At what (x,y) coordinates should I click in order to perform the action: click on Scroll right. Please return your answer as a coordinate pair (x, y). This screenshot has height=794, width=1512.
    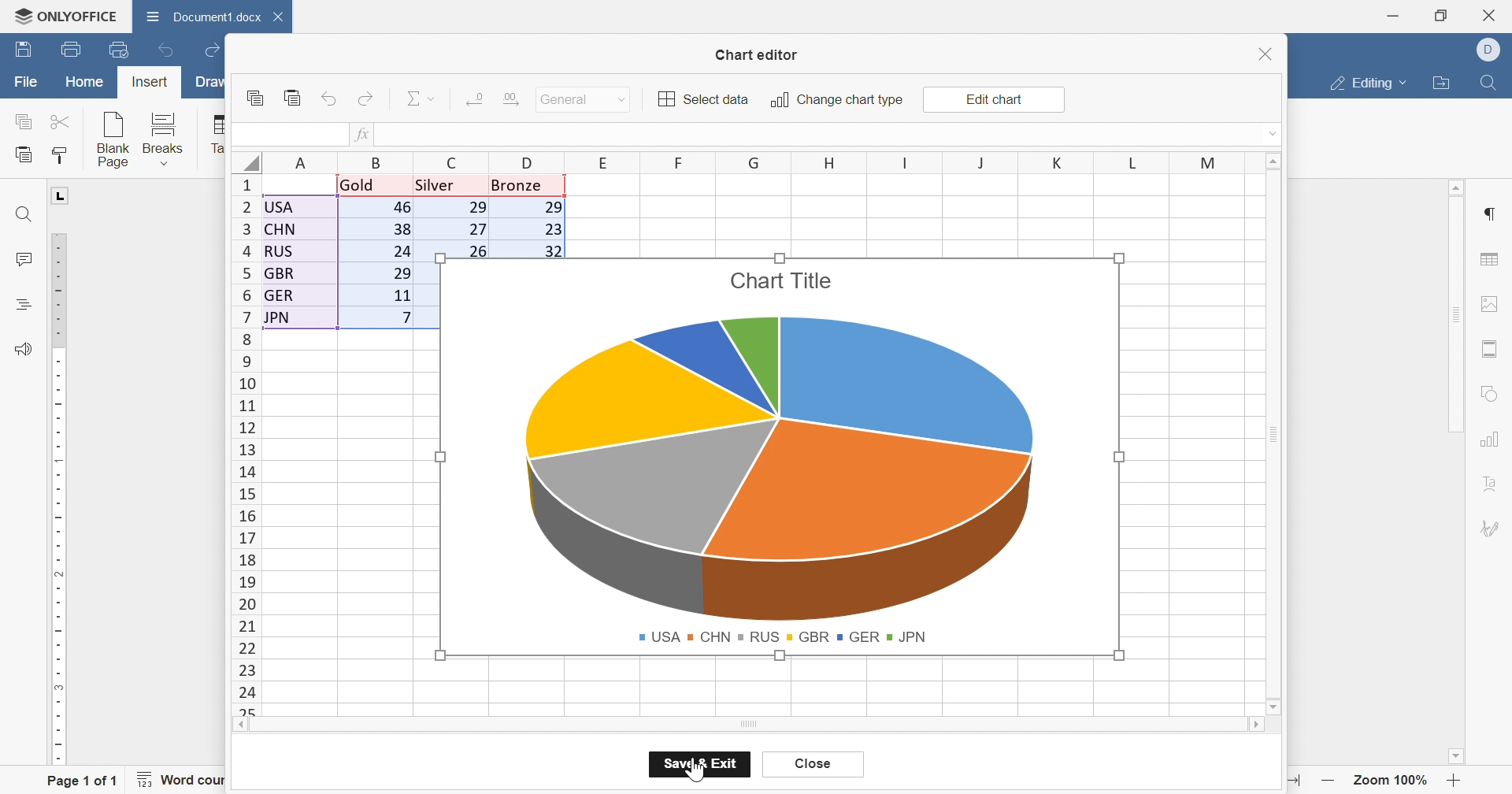
    Looking at the image, I should click on (239, 727).